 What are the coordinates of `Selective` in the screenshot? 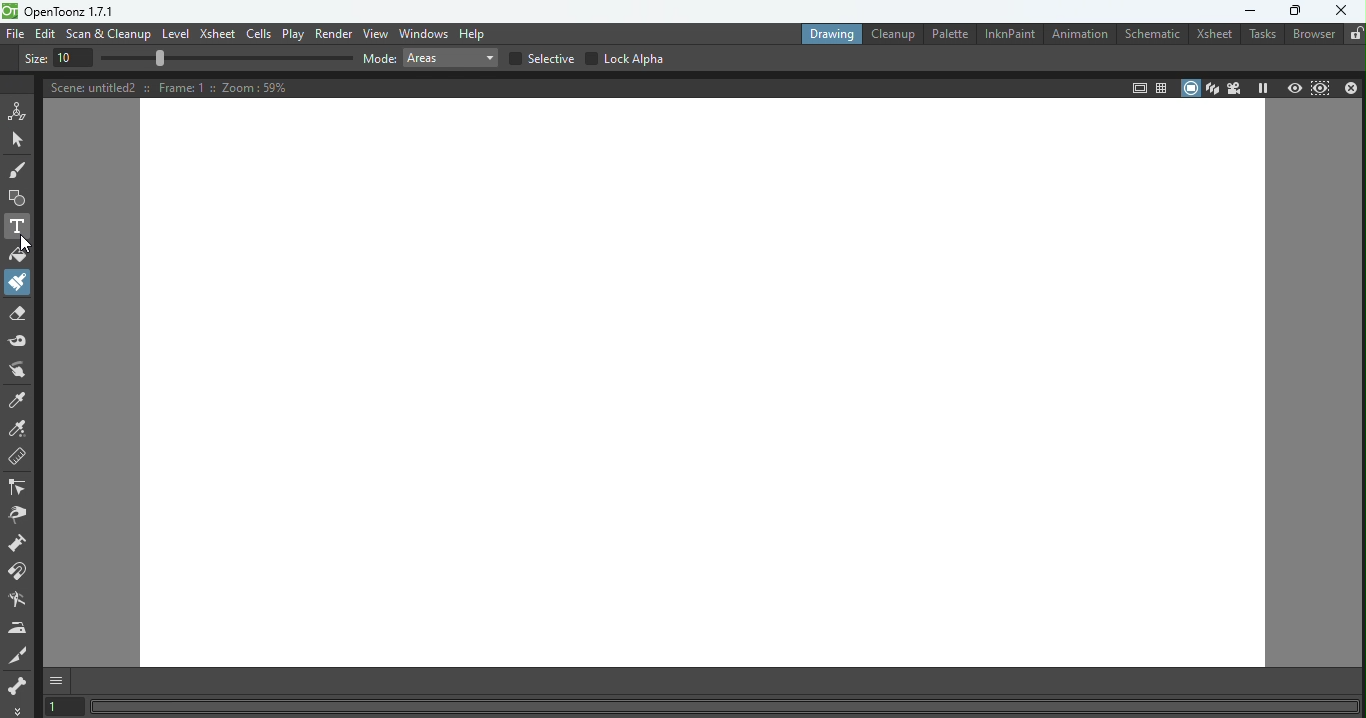 It's located at (541, 60).